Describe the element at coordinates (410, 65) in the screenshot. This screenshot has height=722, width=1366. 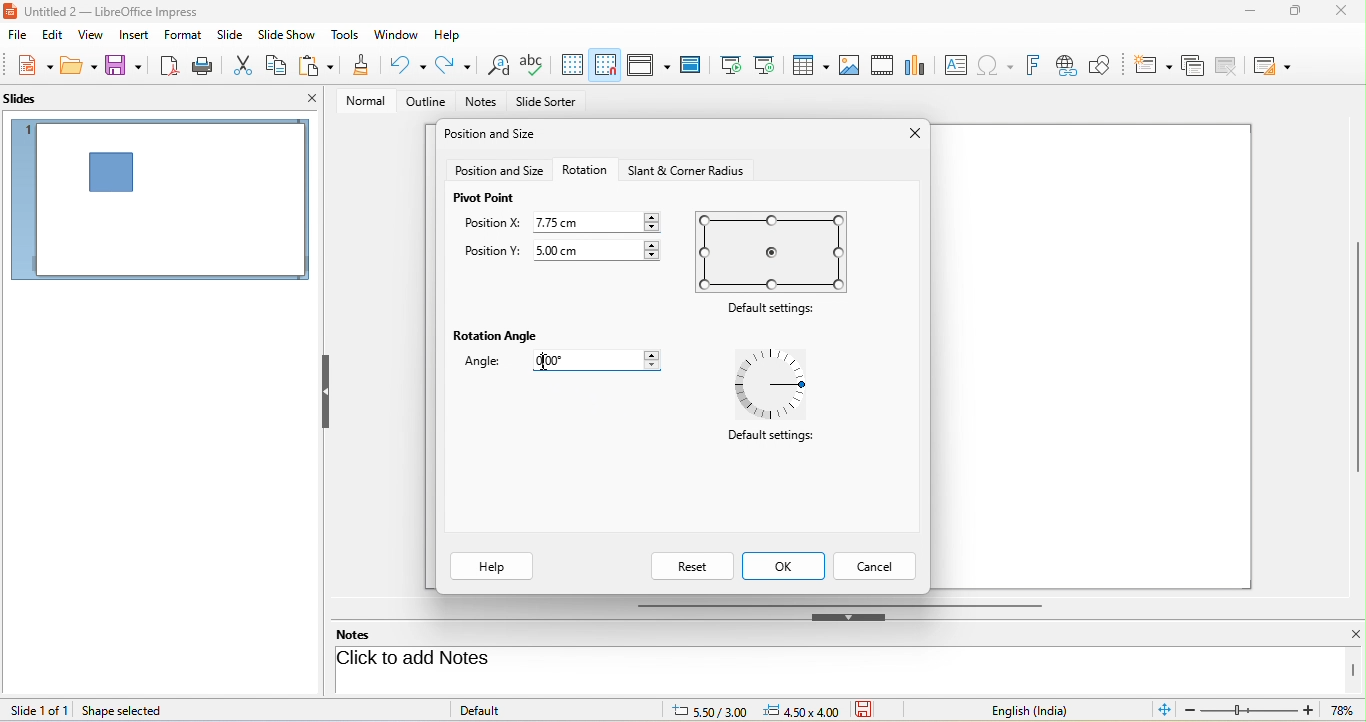
I see `undo` at that location.